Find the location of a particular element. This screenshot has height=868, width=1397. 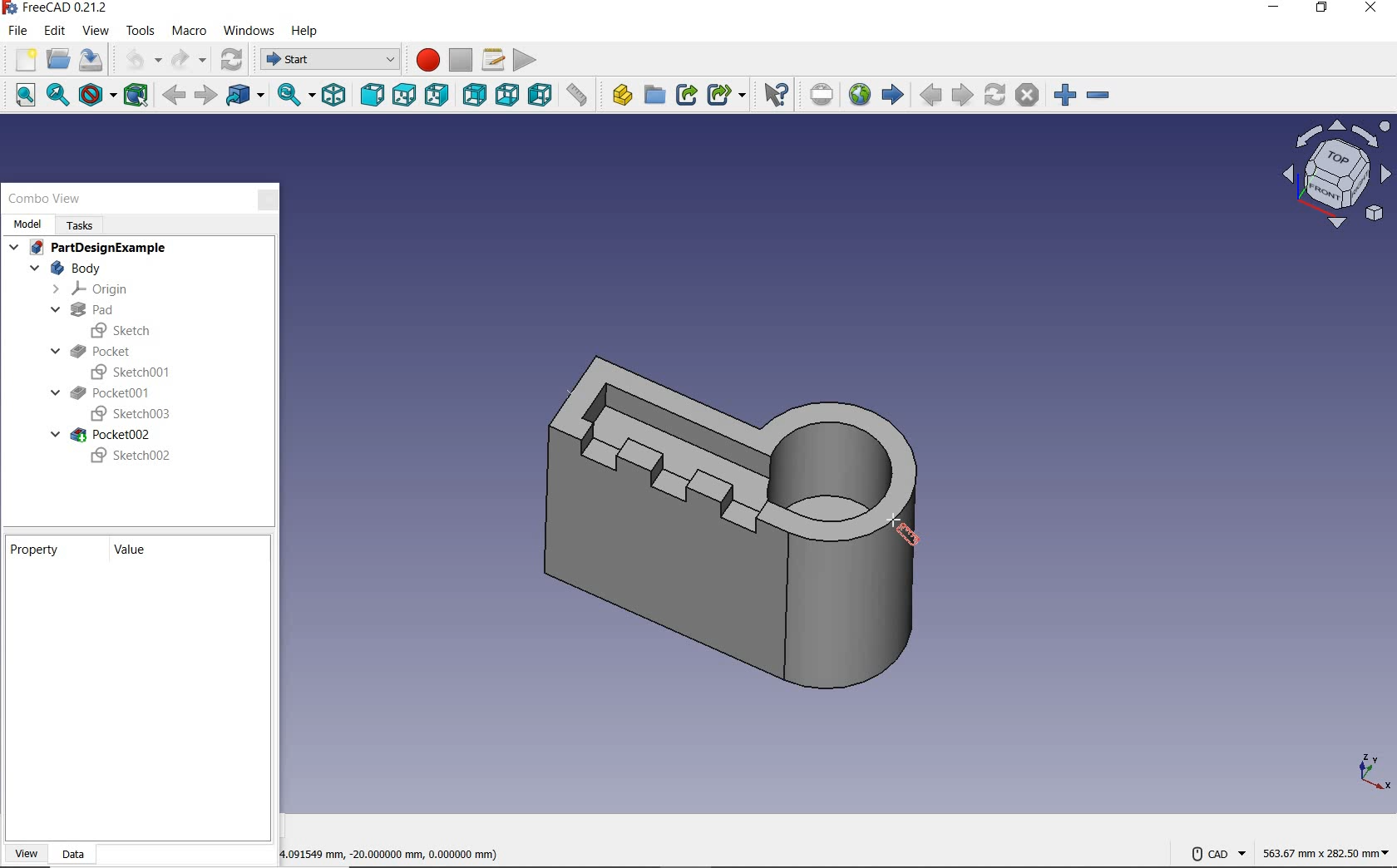

switch between workbenches is located at coordinates (327, 60).